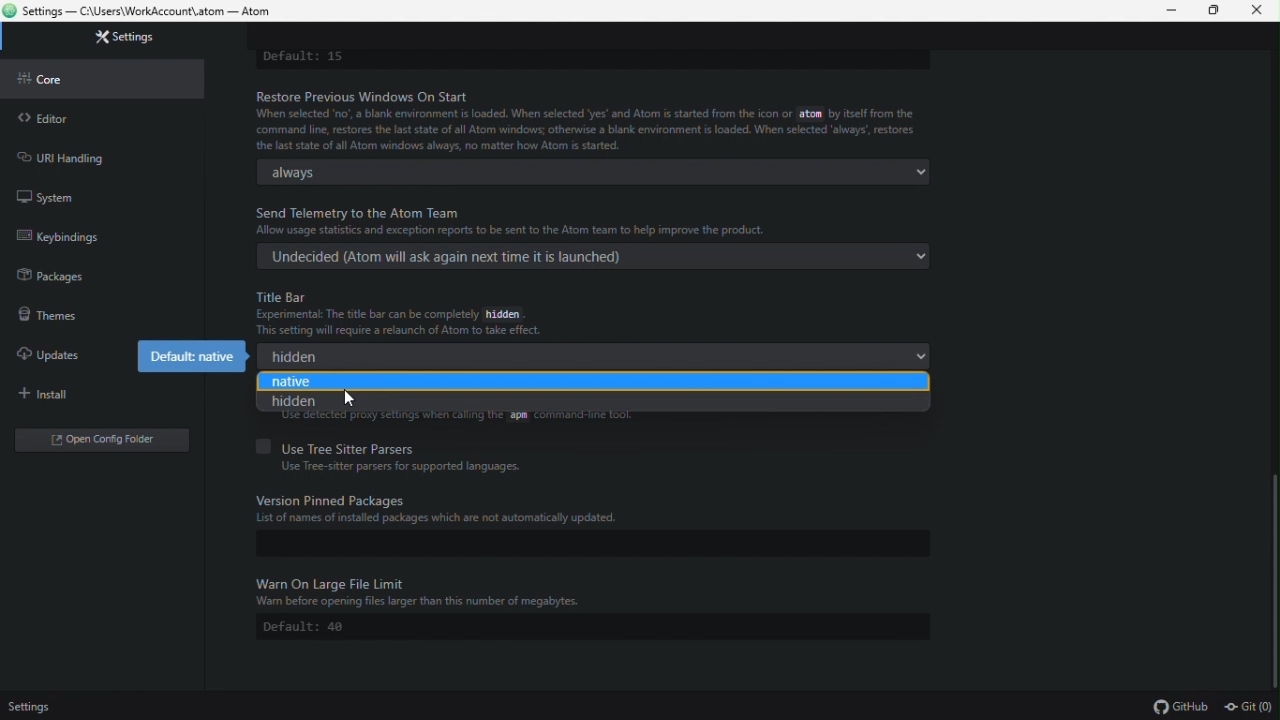 This screenshot has width=1280, height=720. What do you see at coordinates (1257, 13) in the screenshot?
I see `Close` at bounding box center [1257, 13].